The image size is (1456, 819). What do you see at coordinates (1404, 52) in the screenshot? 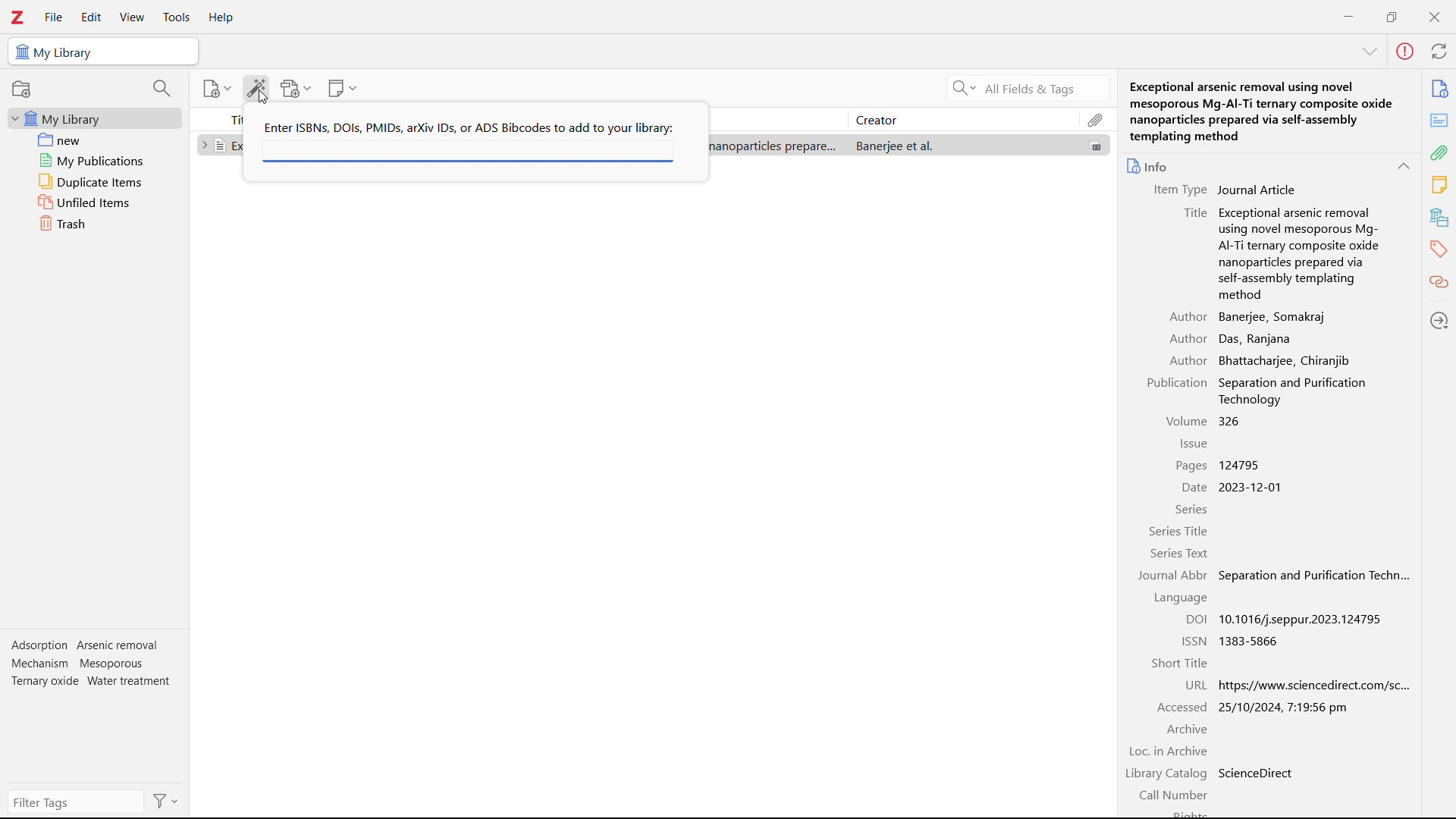
I see `error in sync` at bounding box center [1404, 52].